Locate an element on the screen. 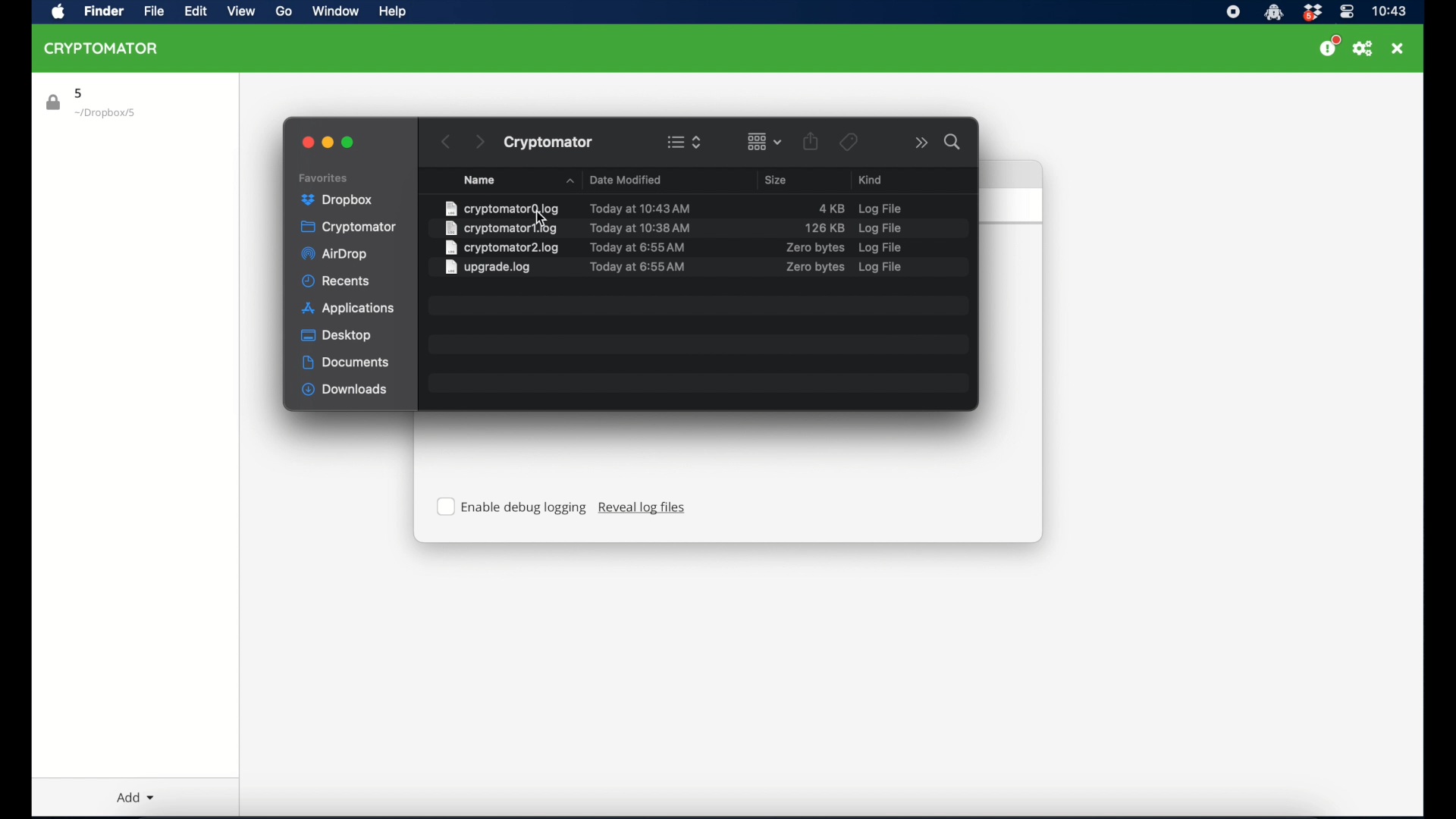 The height and width of the screenshot is (819, 1456). log file is located at coordinates (880, 228).